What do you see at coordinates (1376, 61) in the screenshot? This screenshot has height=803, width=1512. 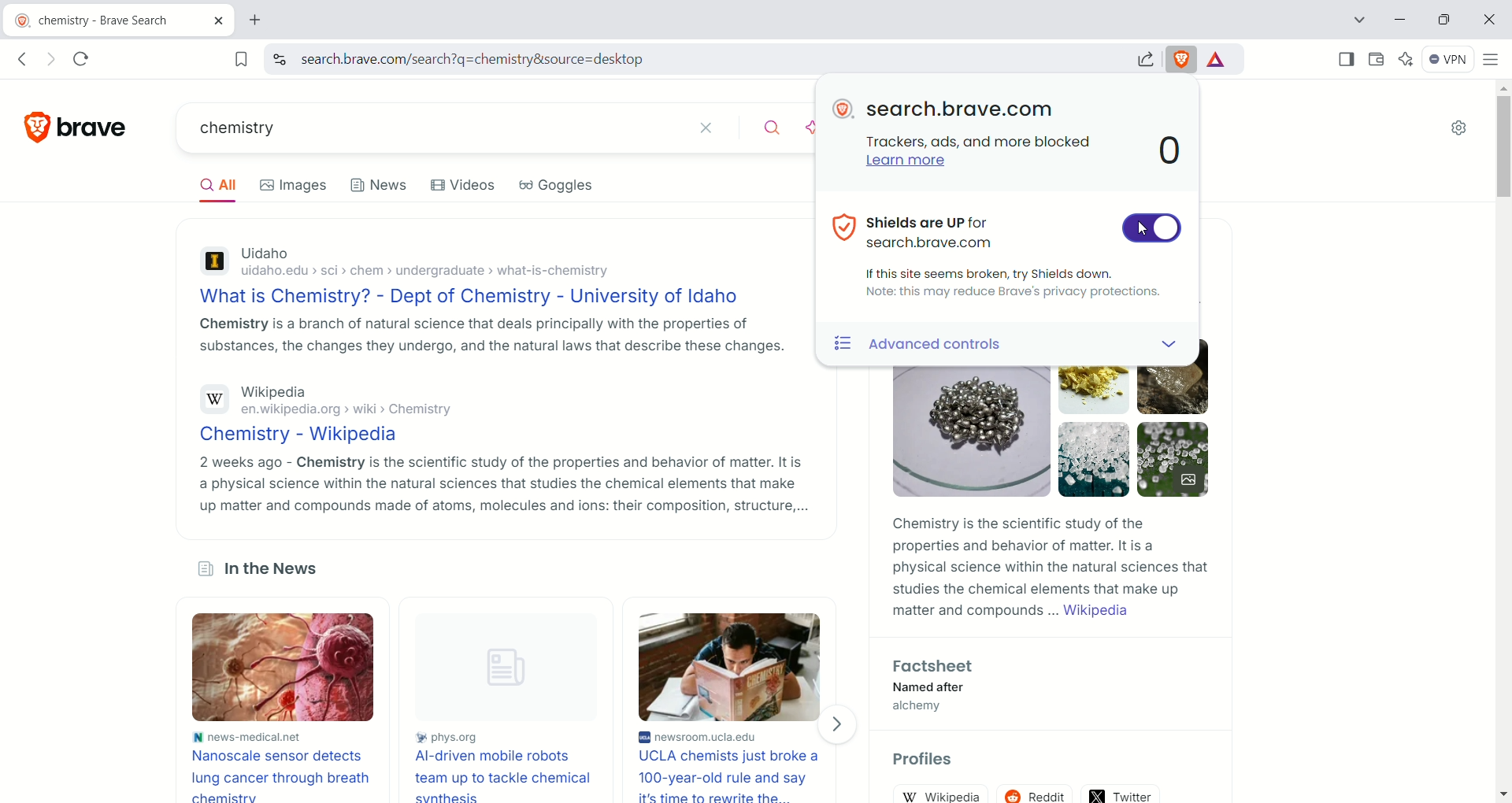 I see `wallet` at bounding box center [1376, 61].